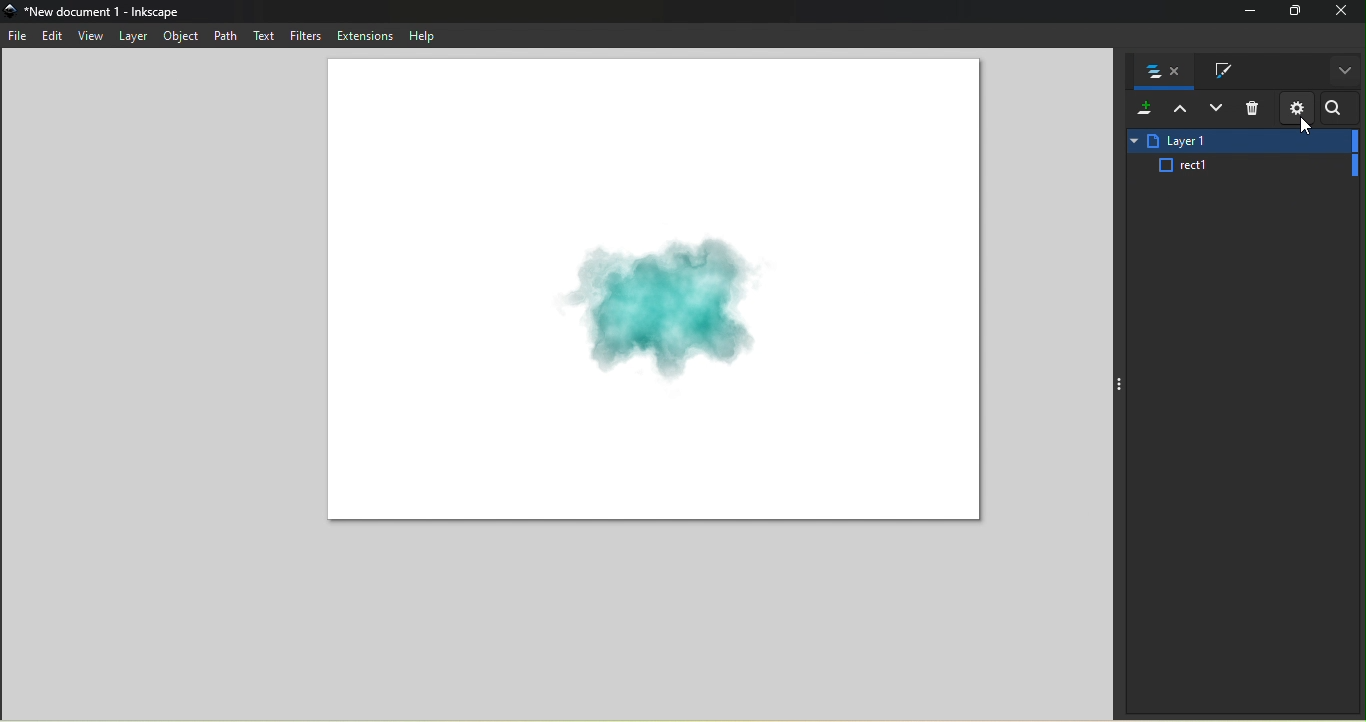 This screenshot has height=722, width=1366. Describe the element at coordinates (1118, 385) in the screenshot. I see `Toggle command palette` at that location.